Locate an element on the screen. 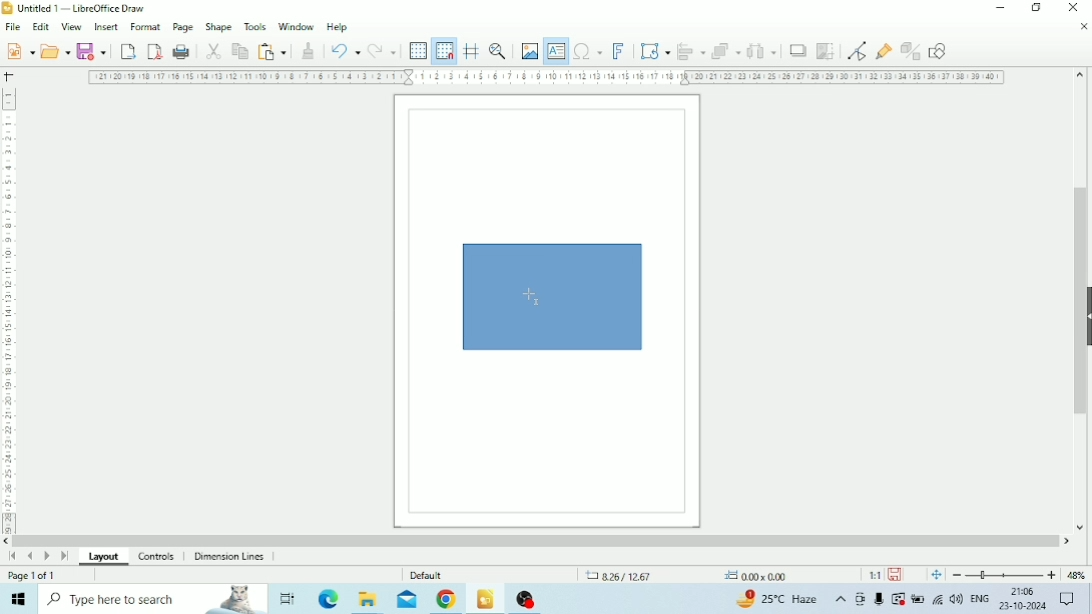  Print is located at coordinates (182, 52).